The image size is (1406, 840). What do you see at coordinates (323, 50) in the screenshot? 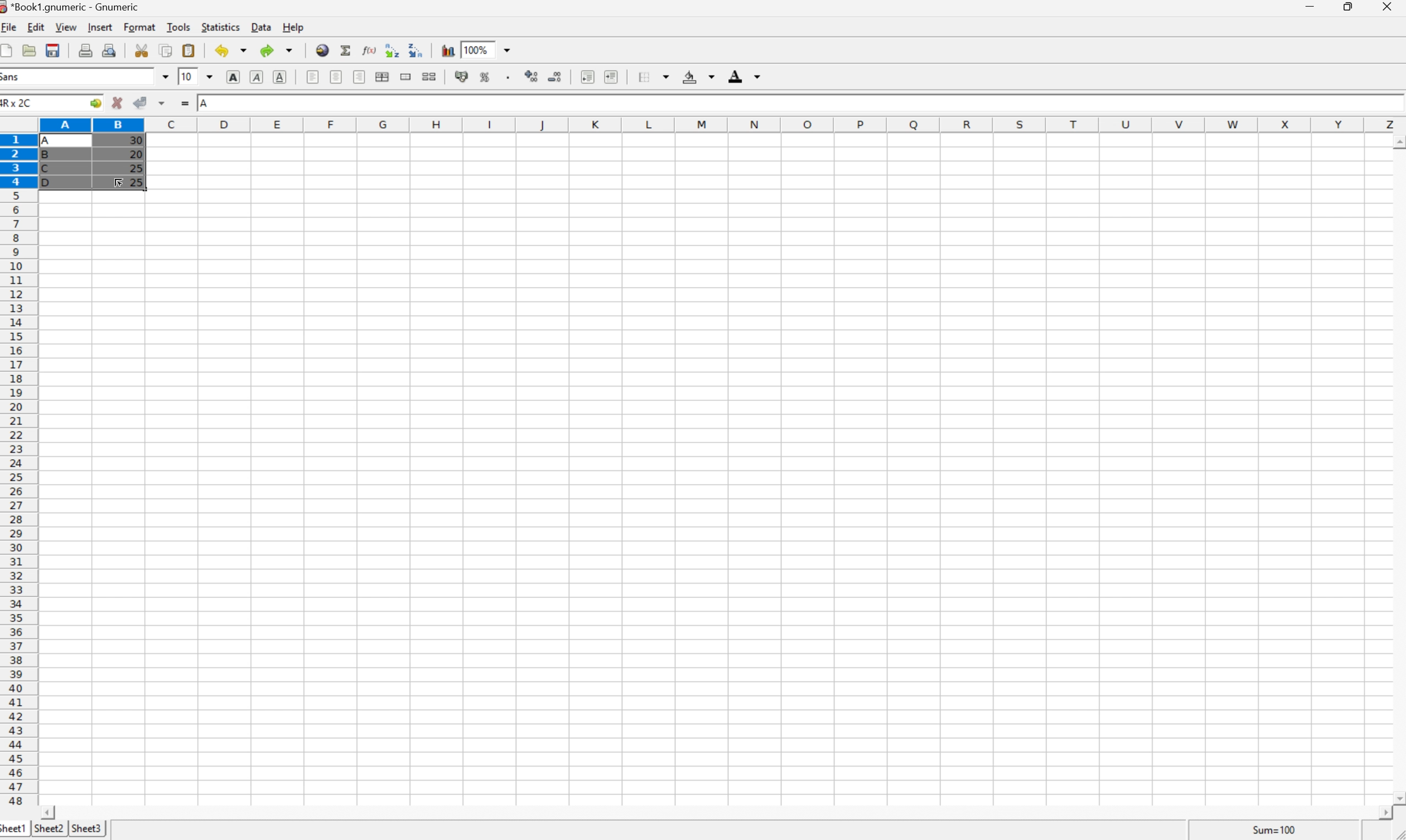
I see `Insert a hyperlink` at bounding box center [323, 50].